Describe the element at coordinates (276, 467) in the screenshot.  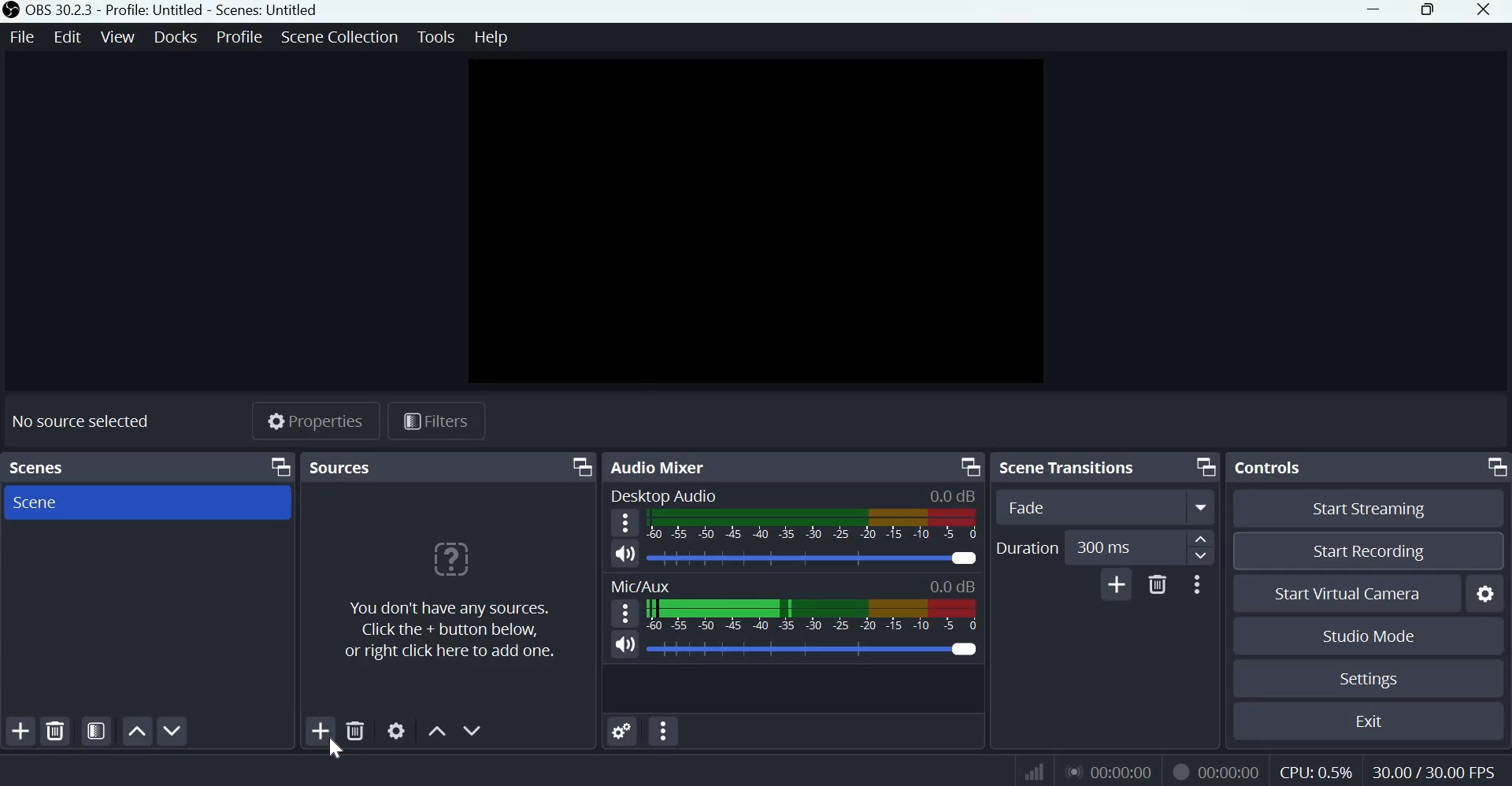
I see `Dock Options icon` at that location.